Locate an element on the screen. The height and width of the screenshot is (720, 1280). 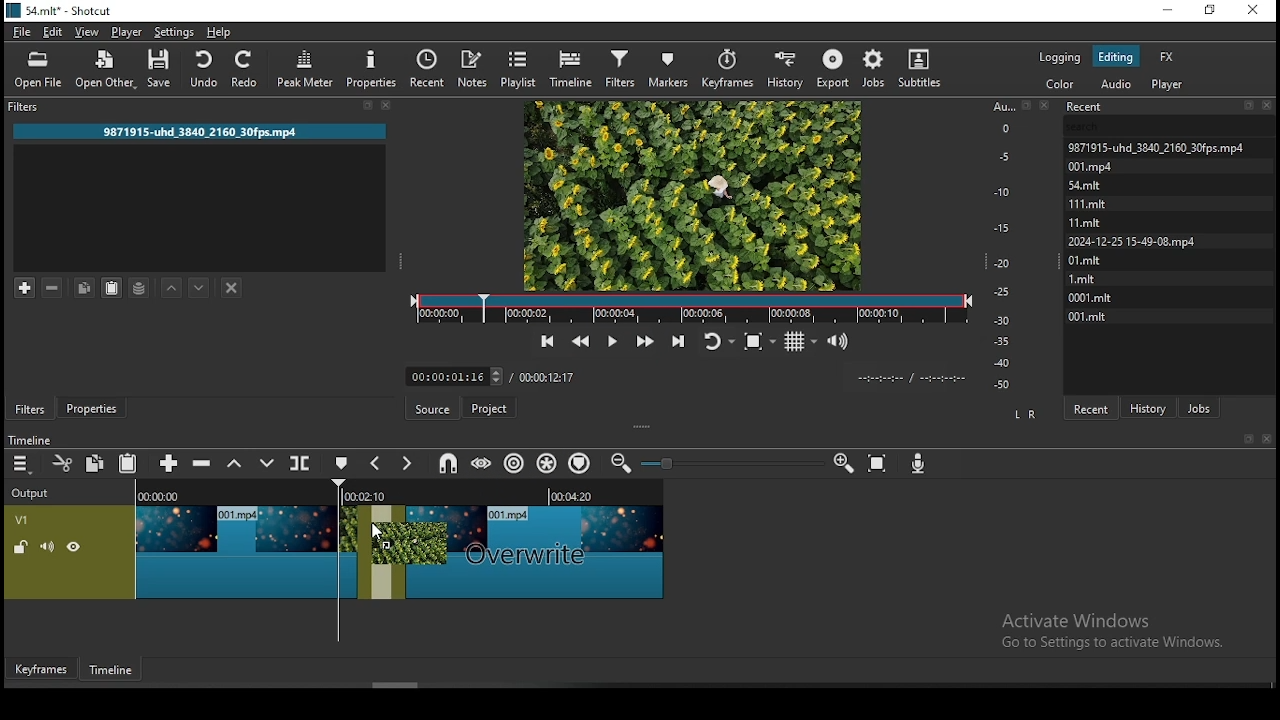
history is located at coordinates (786, 69).